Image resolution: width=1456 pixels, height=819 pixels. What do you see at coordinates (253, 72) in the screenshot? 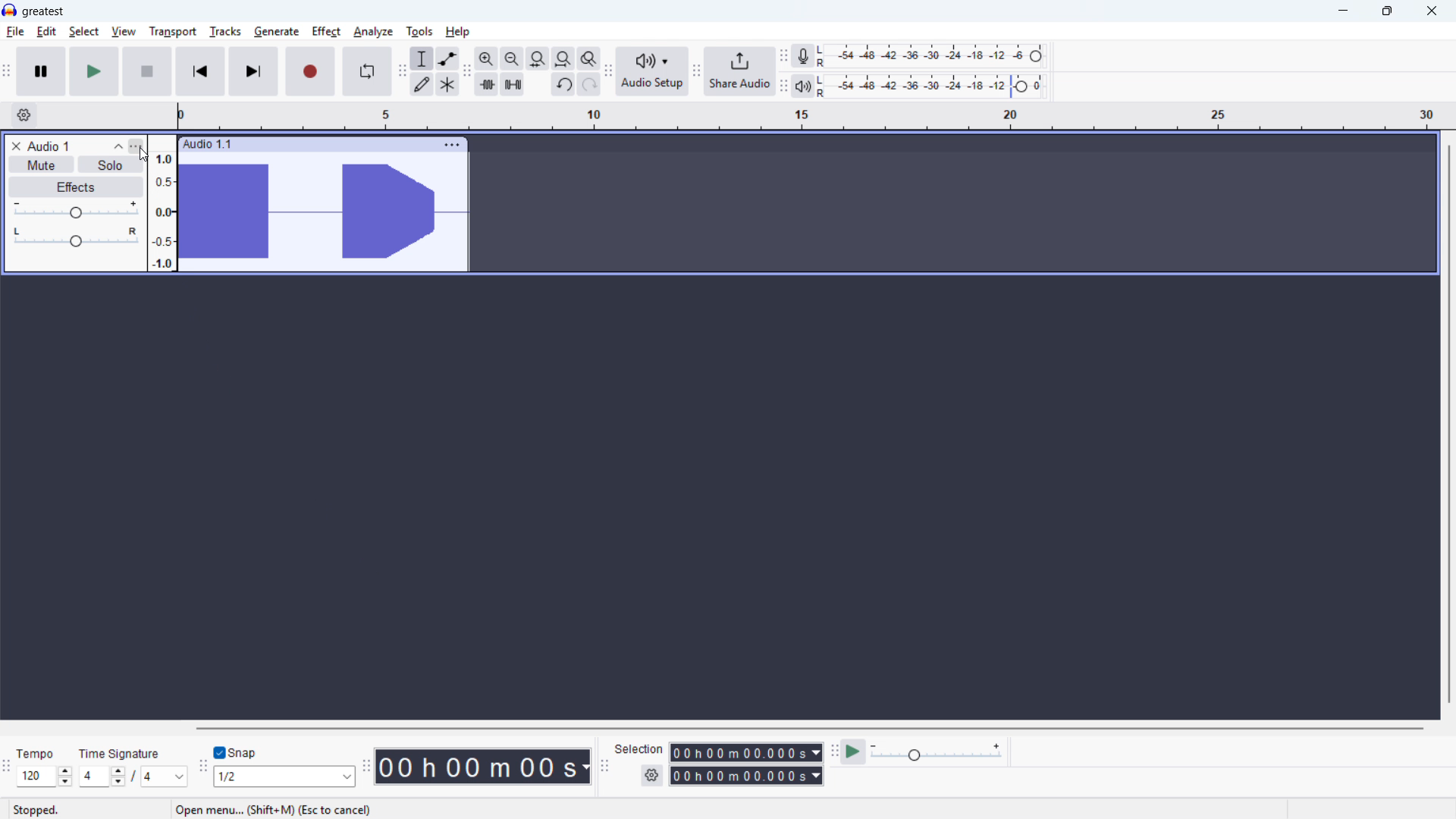
I see `Skip to end ` at bounding box center [253, 72].